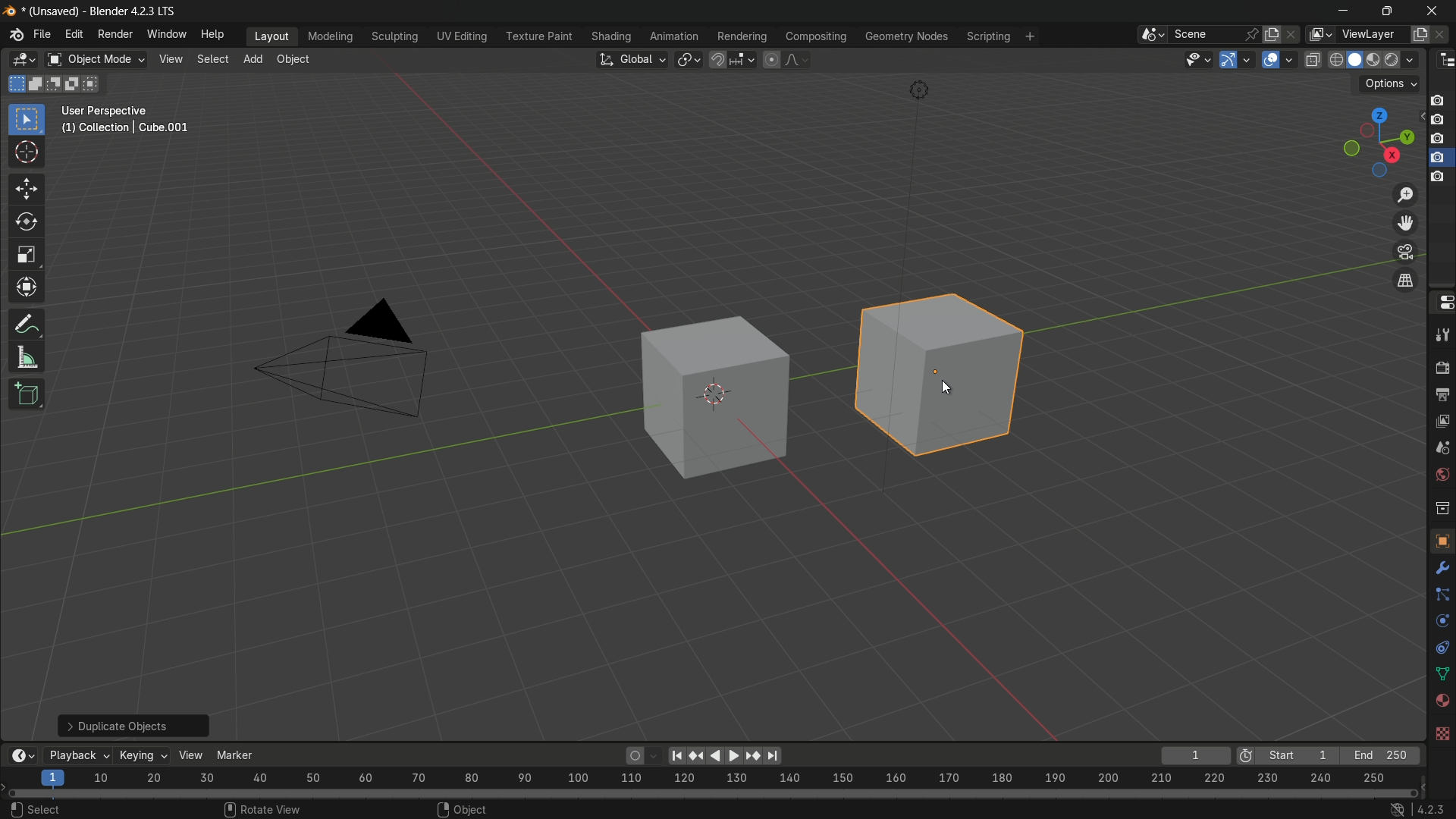  I want to click on scene, so click(1213, 34).